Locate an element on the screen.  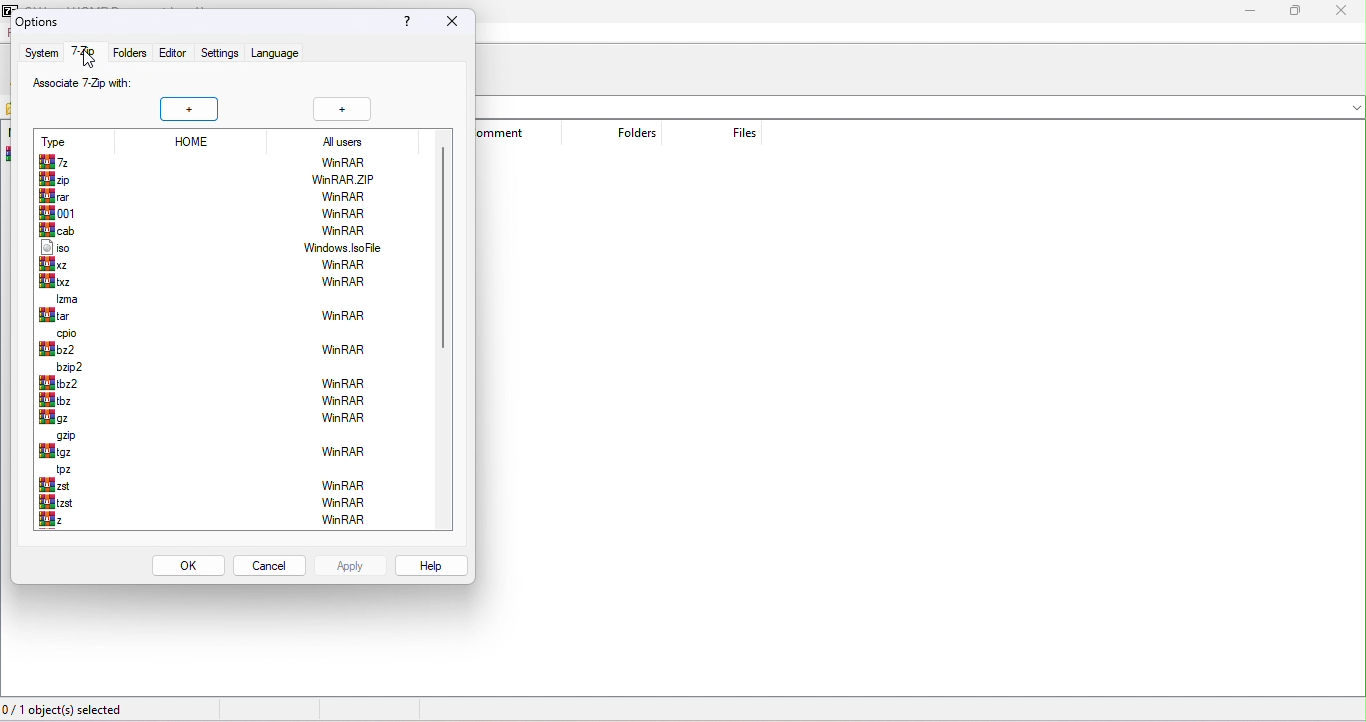
winrar is located at coordinates (339, 401).